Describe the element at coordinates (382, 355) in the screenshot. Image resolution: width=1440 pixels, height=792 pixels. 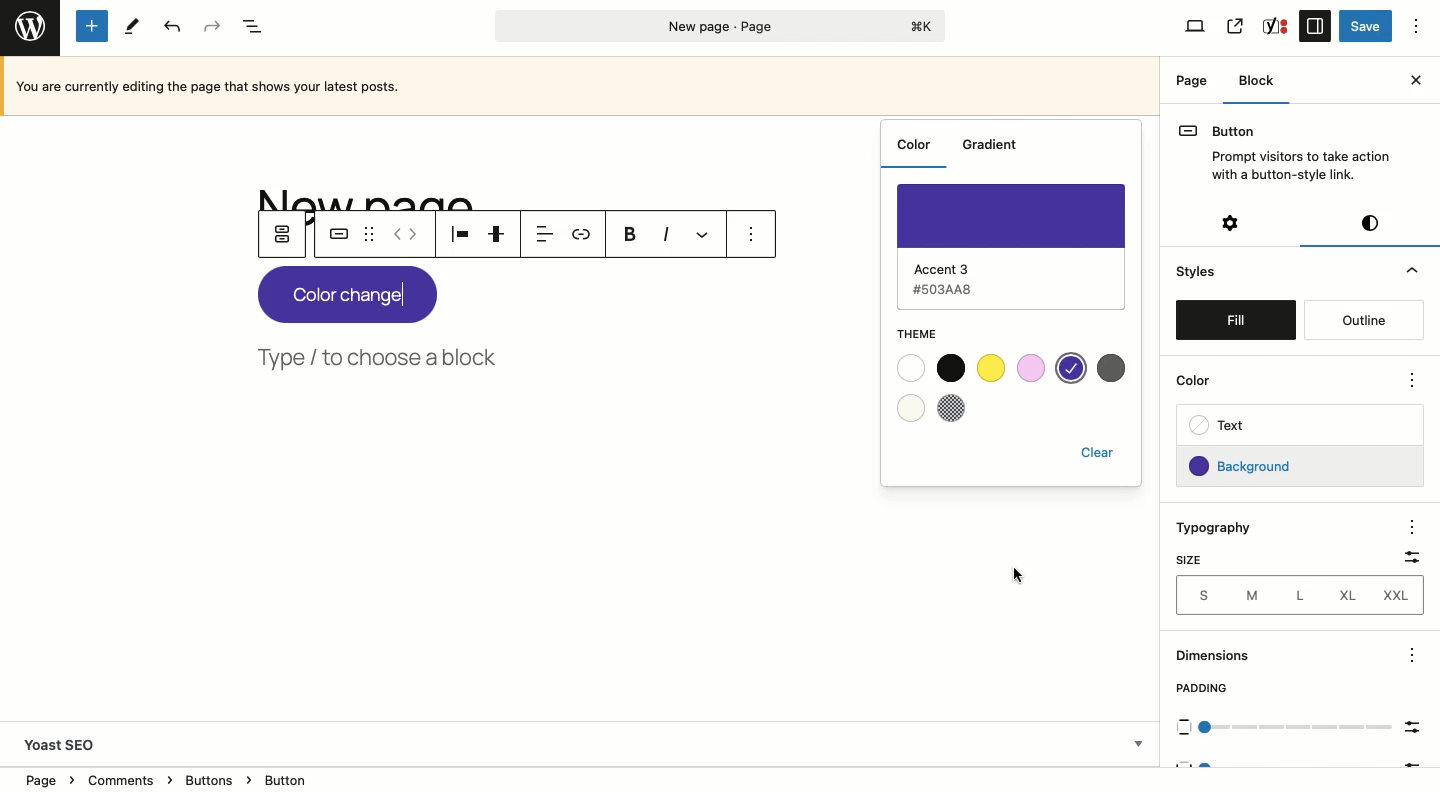
I see `Type, choose a block` at that location.